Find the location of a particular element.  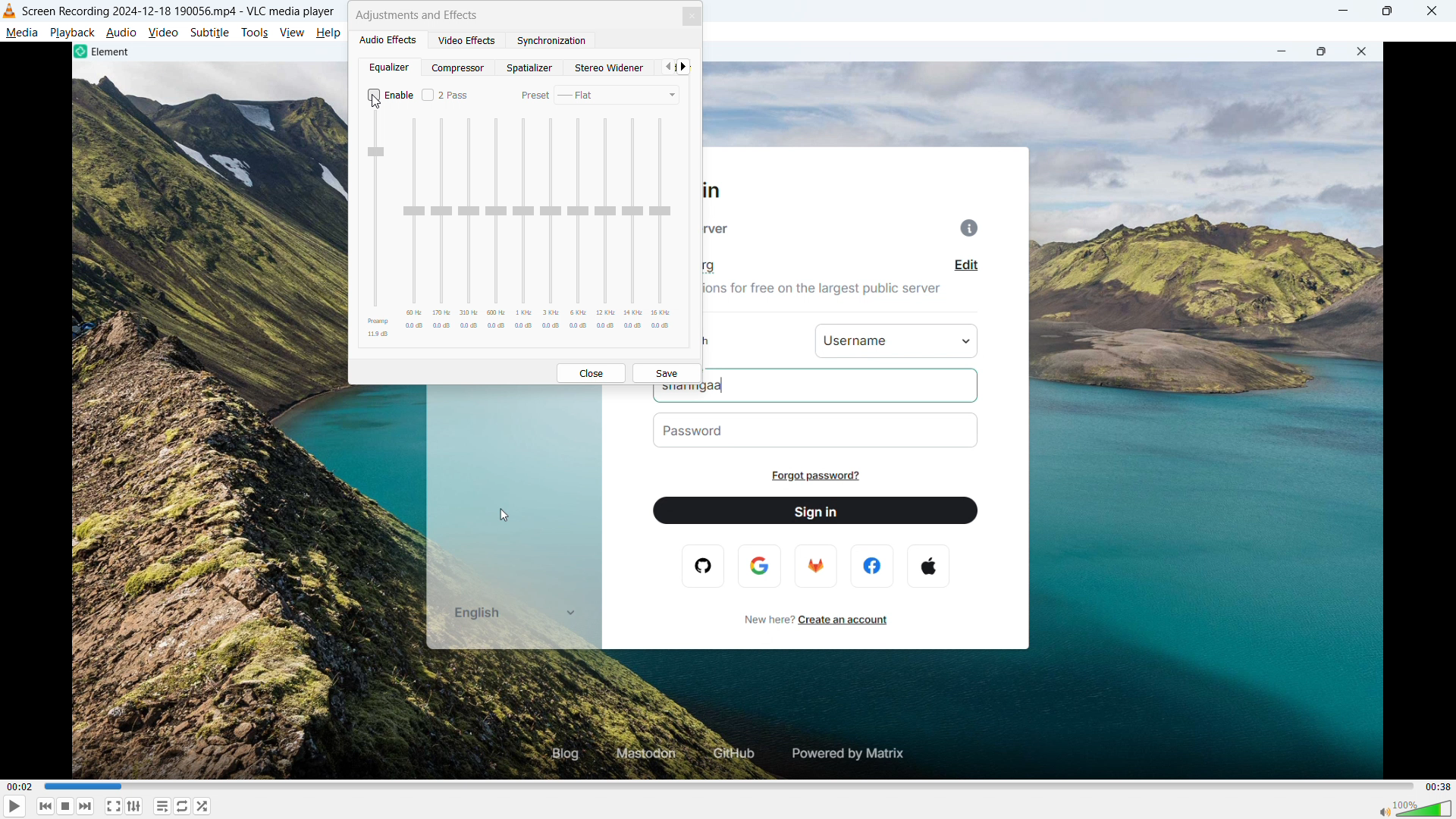

00:38 is located at coordinates (1439, 787).